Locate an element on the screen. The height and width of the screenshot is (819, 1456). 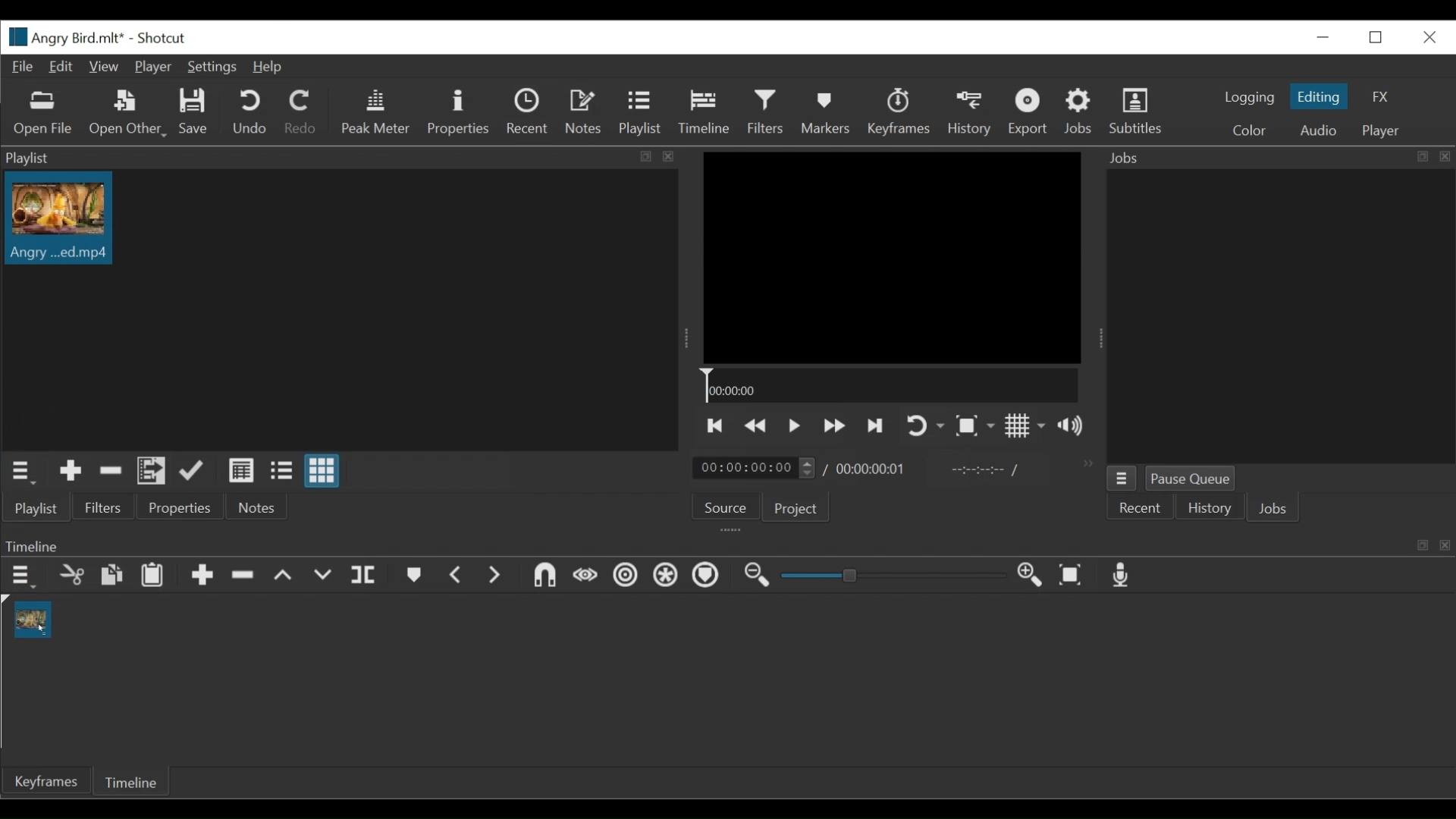
Color is located at coordinates (1254, 130).